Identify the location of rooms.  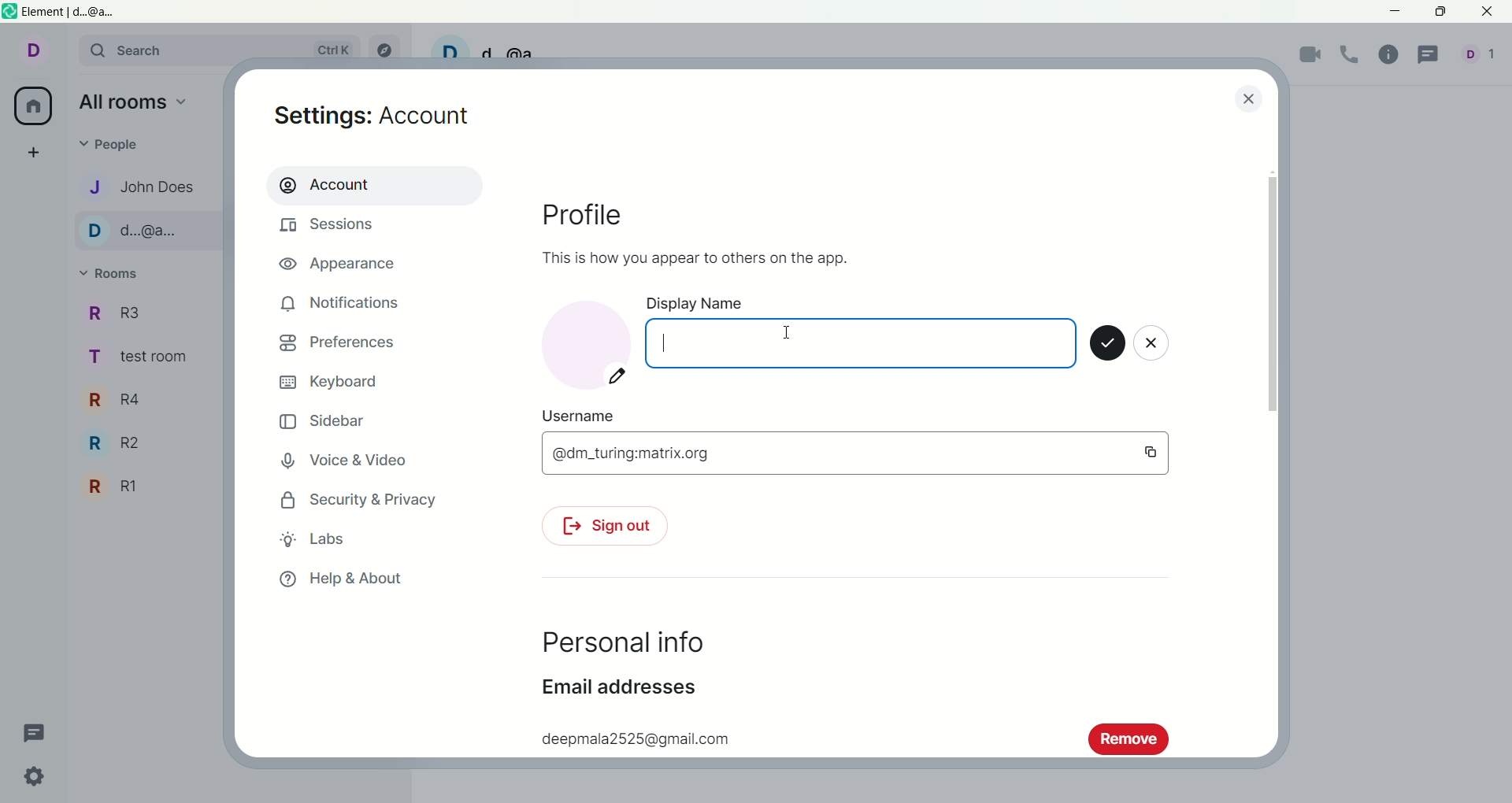
(115, 275).